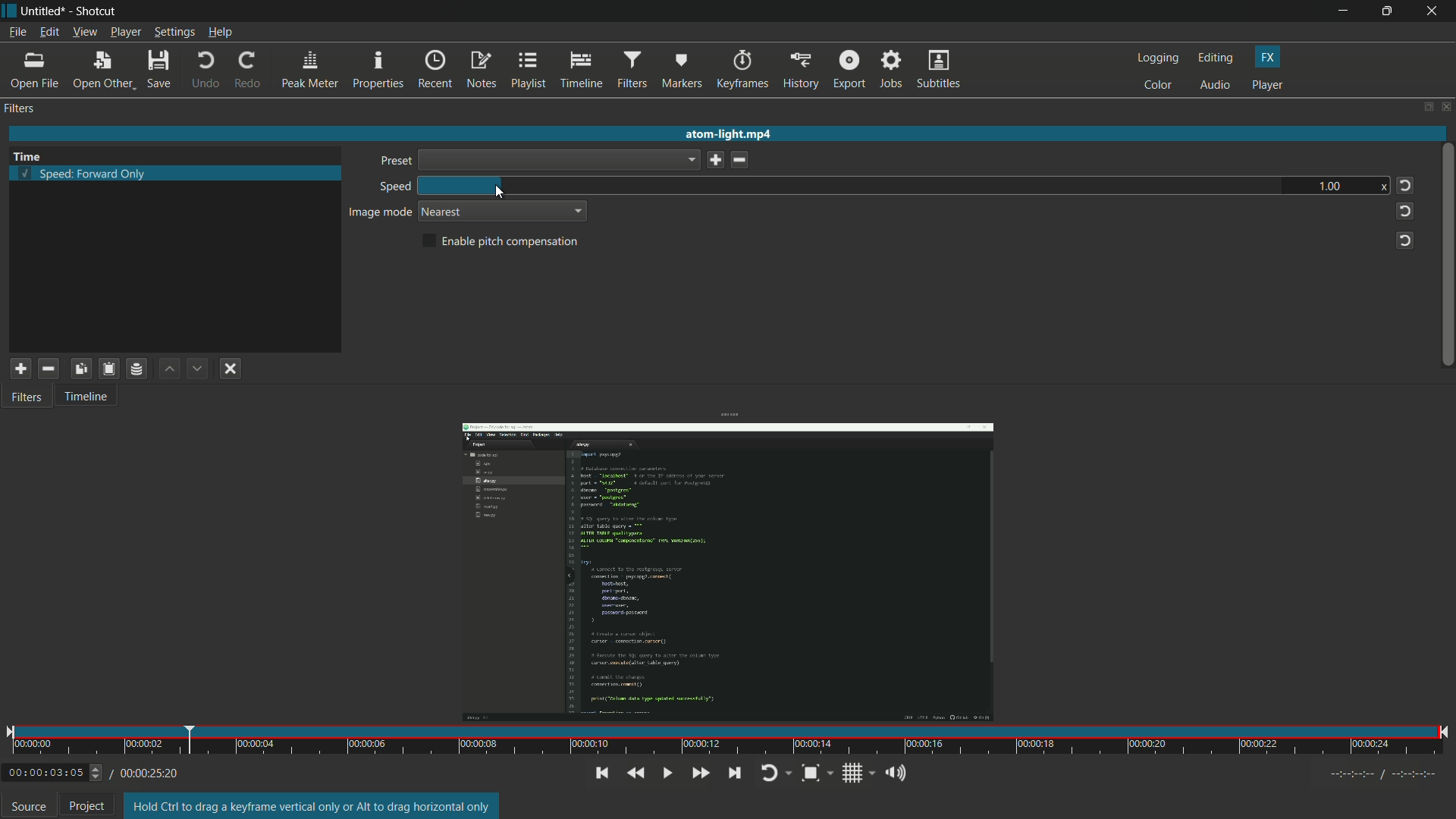 This screenshot has height=819, width=1456. Describe the element at coordinates (483, 71) in the screenshot. I see `notes` at that location.